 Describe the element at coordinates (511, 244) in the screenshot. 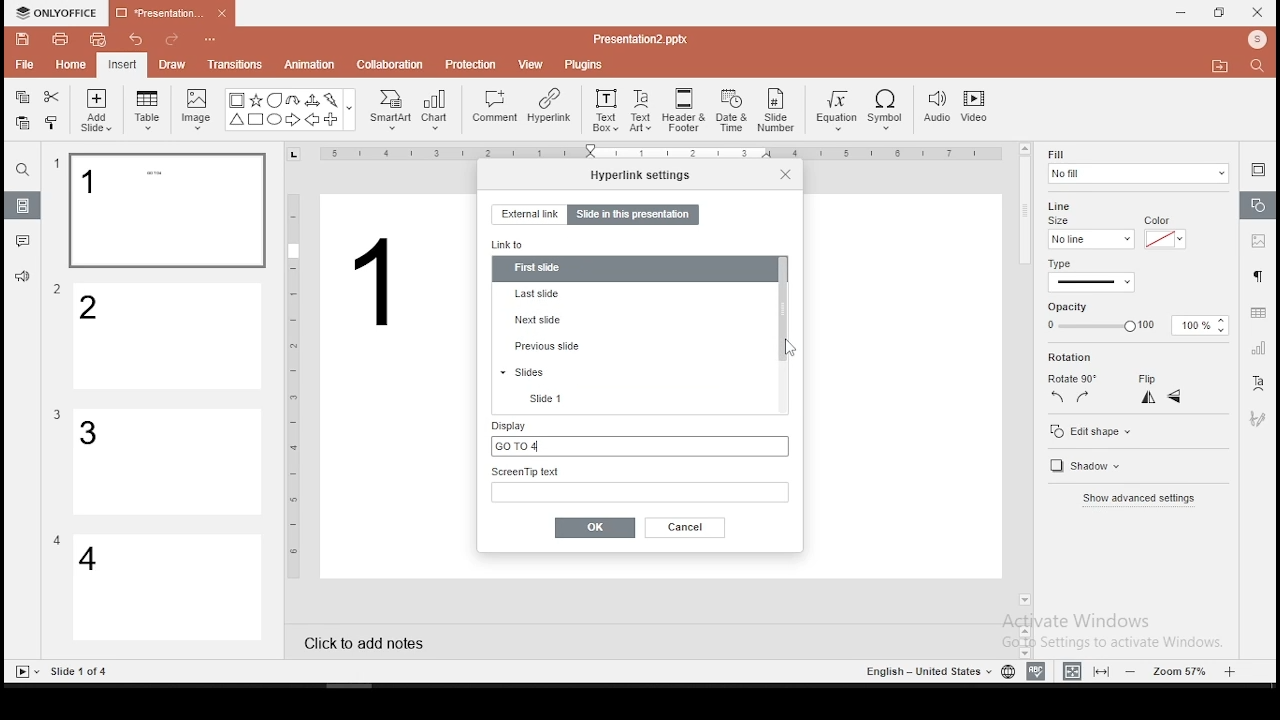

I see `link to` at that location.